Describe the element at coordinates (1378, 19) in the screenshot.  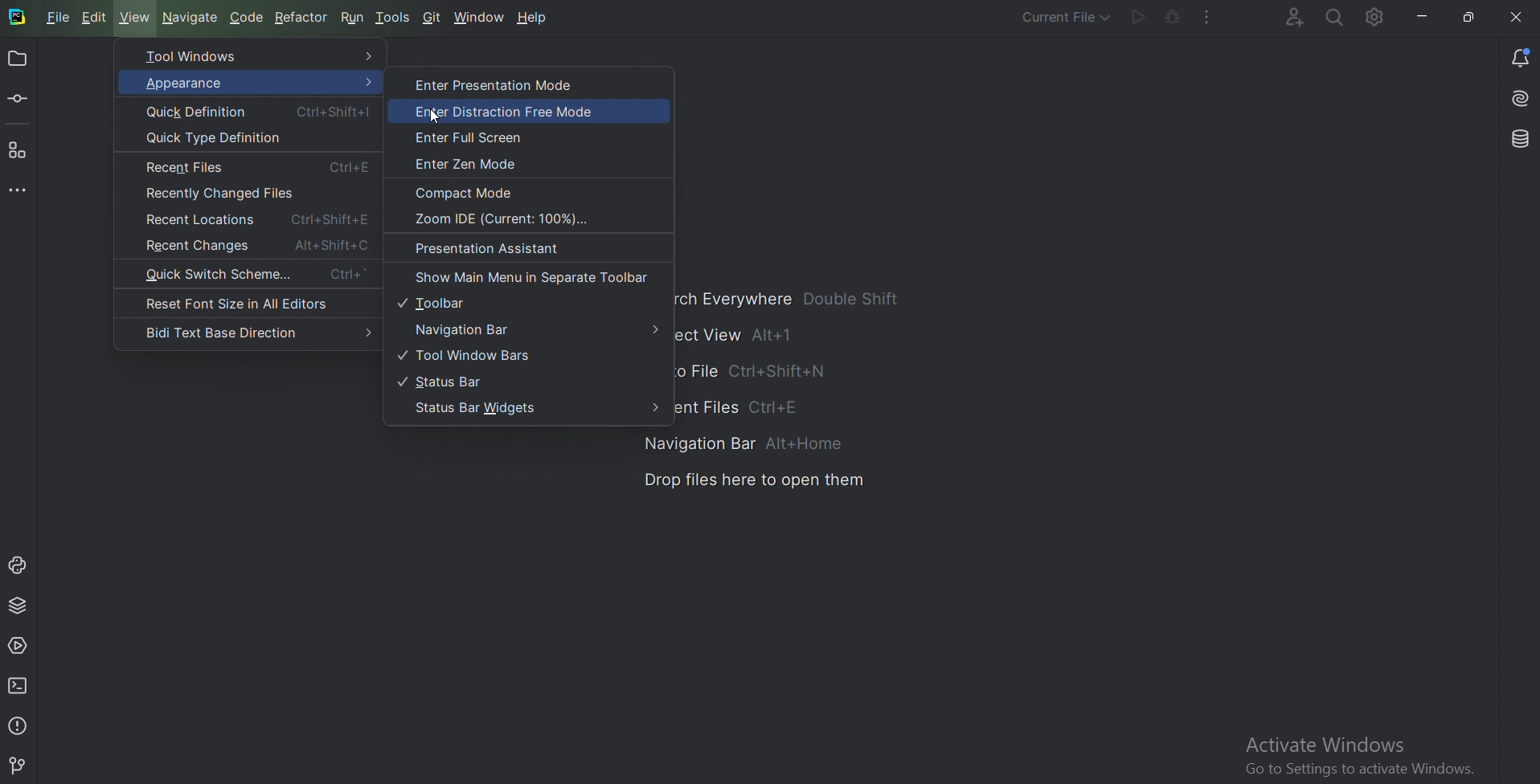
I see `Settings` at that location.